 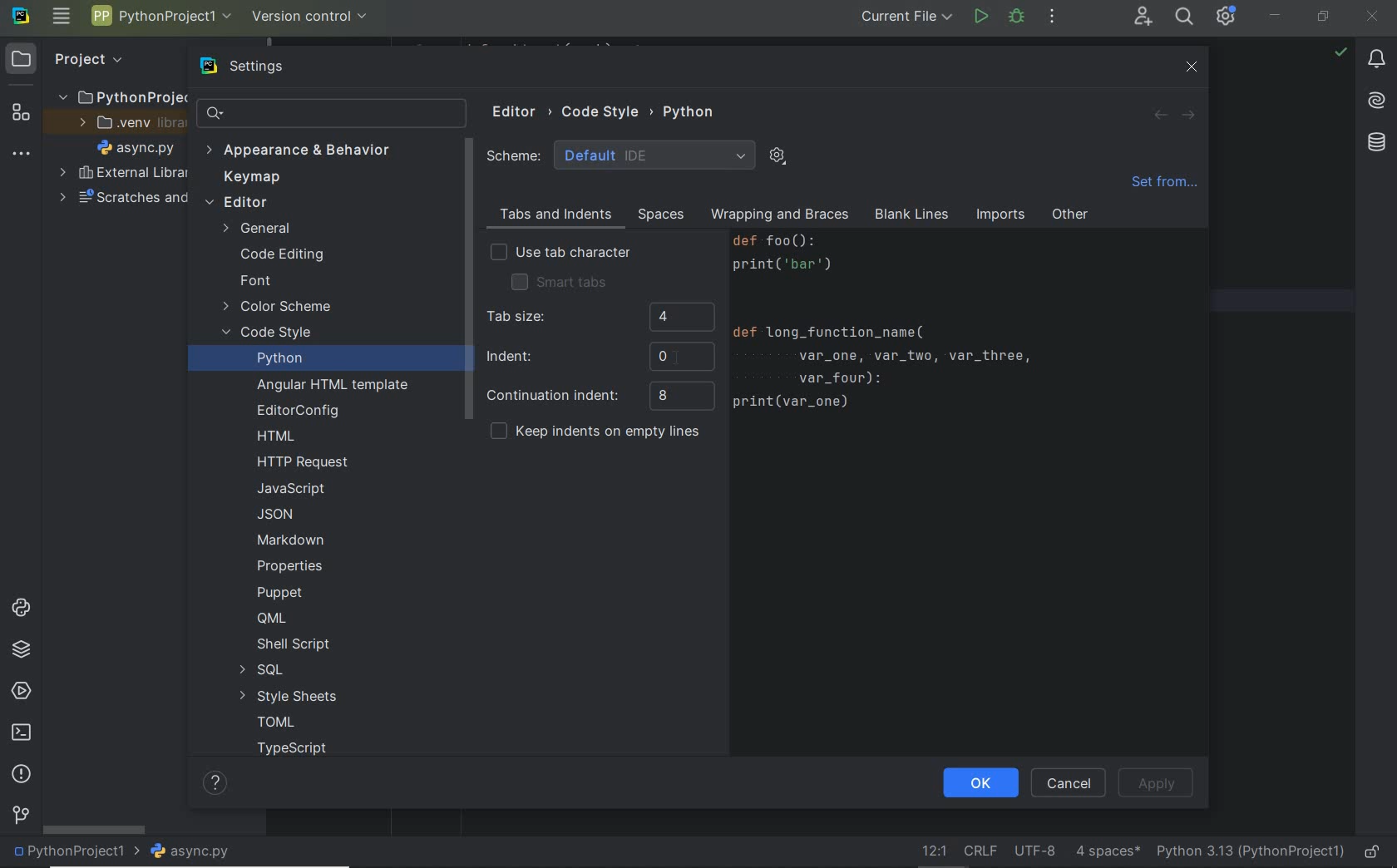 What do you see at coordinates (778, 157) in the screenshot?
I see `SHOW SCHEME ACTIONS` at bounding box center [778, 157].